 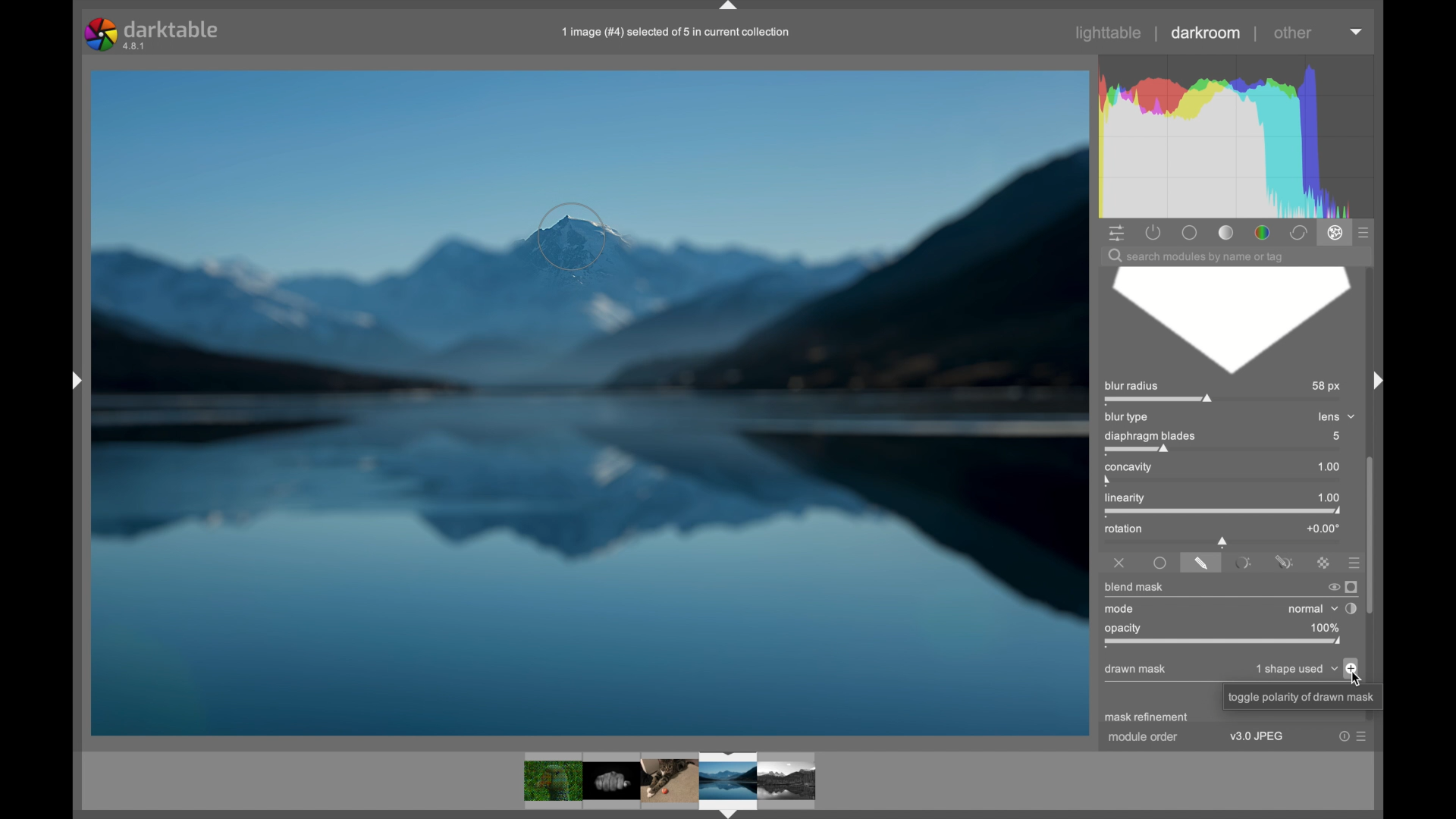 What do you see at coordinates (1161, 563) in the screenshot?
I see `uniformly` at bounding box center [1161, 563].